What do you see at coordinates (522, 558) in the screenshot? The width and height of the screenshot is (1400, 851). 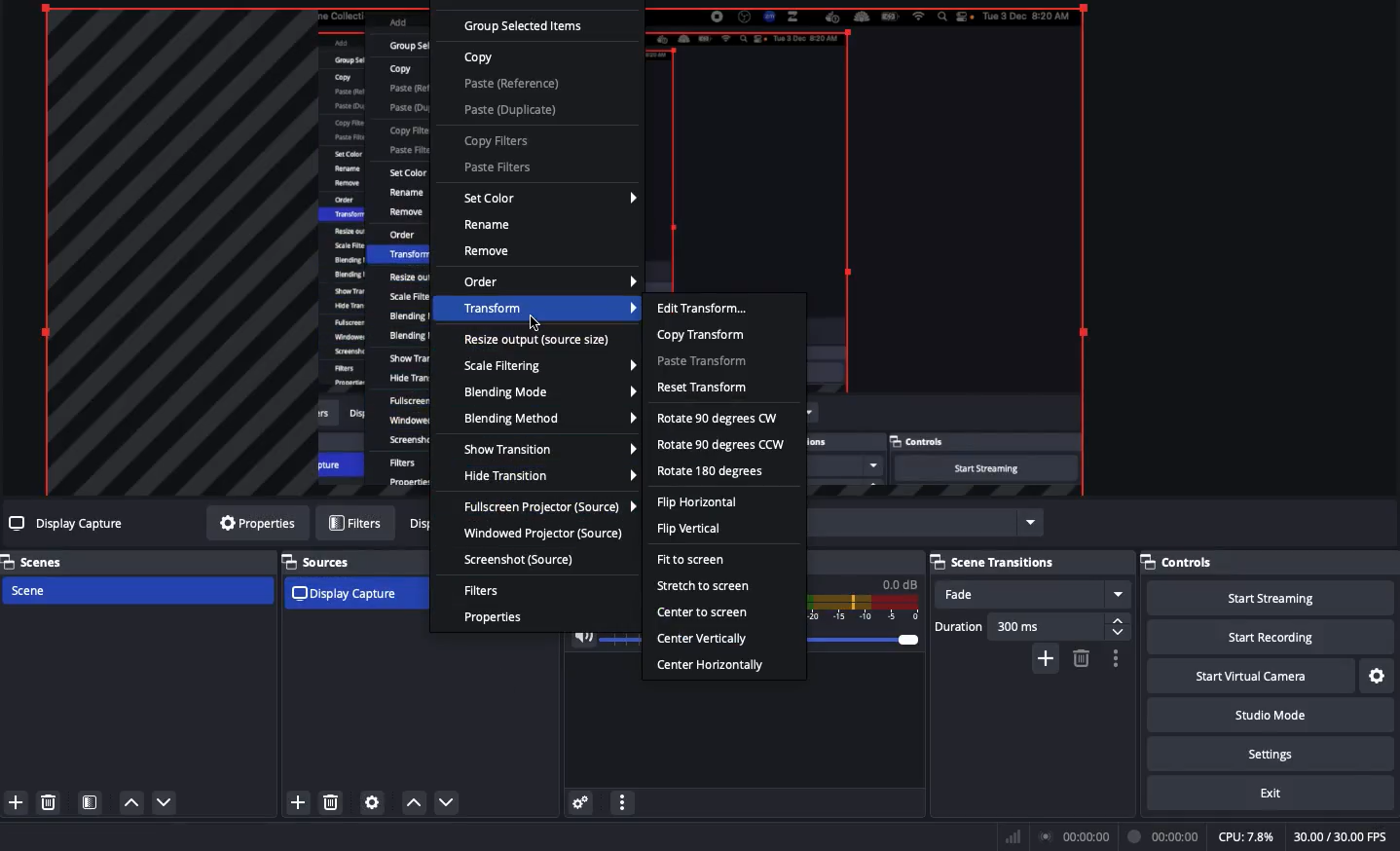 I see `Screenshot` at bounding box center [522, 558].